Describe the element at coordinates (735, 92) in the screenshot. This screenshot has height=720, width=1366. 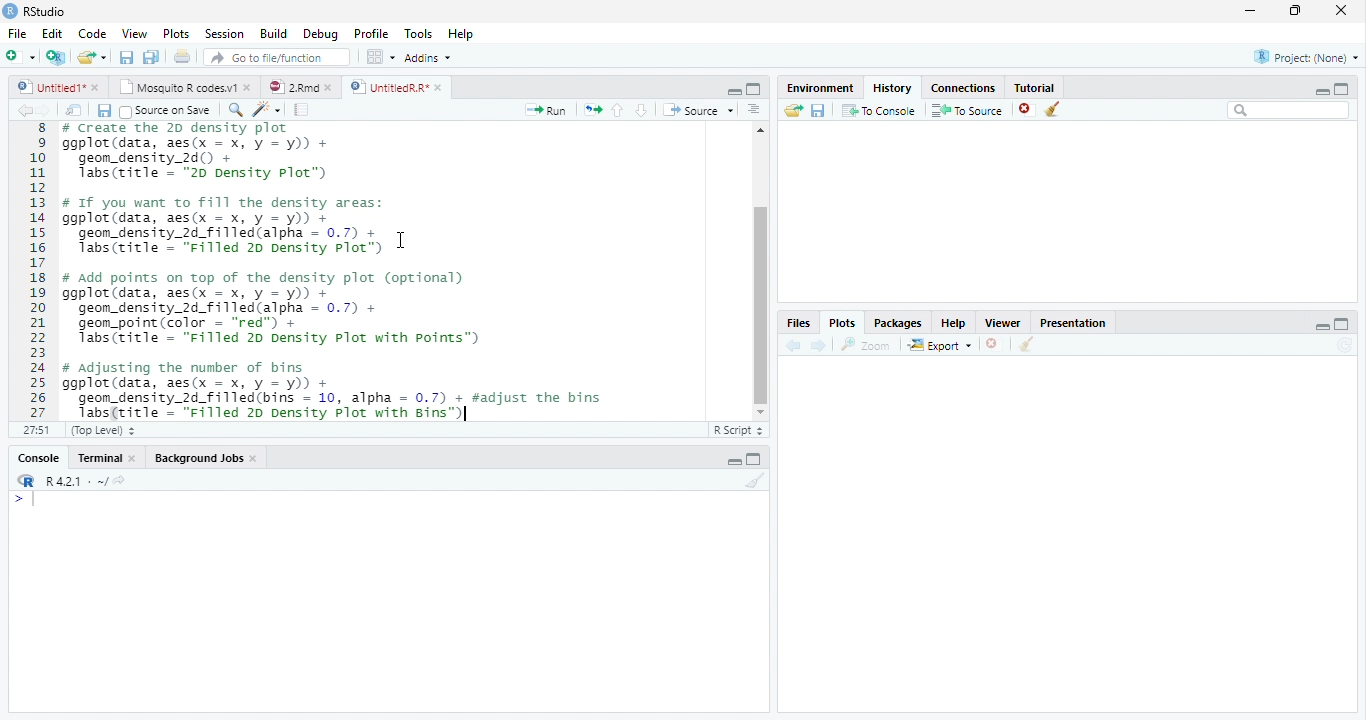
I see `minimize` at that location.